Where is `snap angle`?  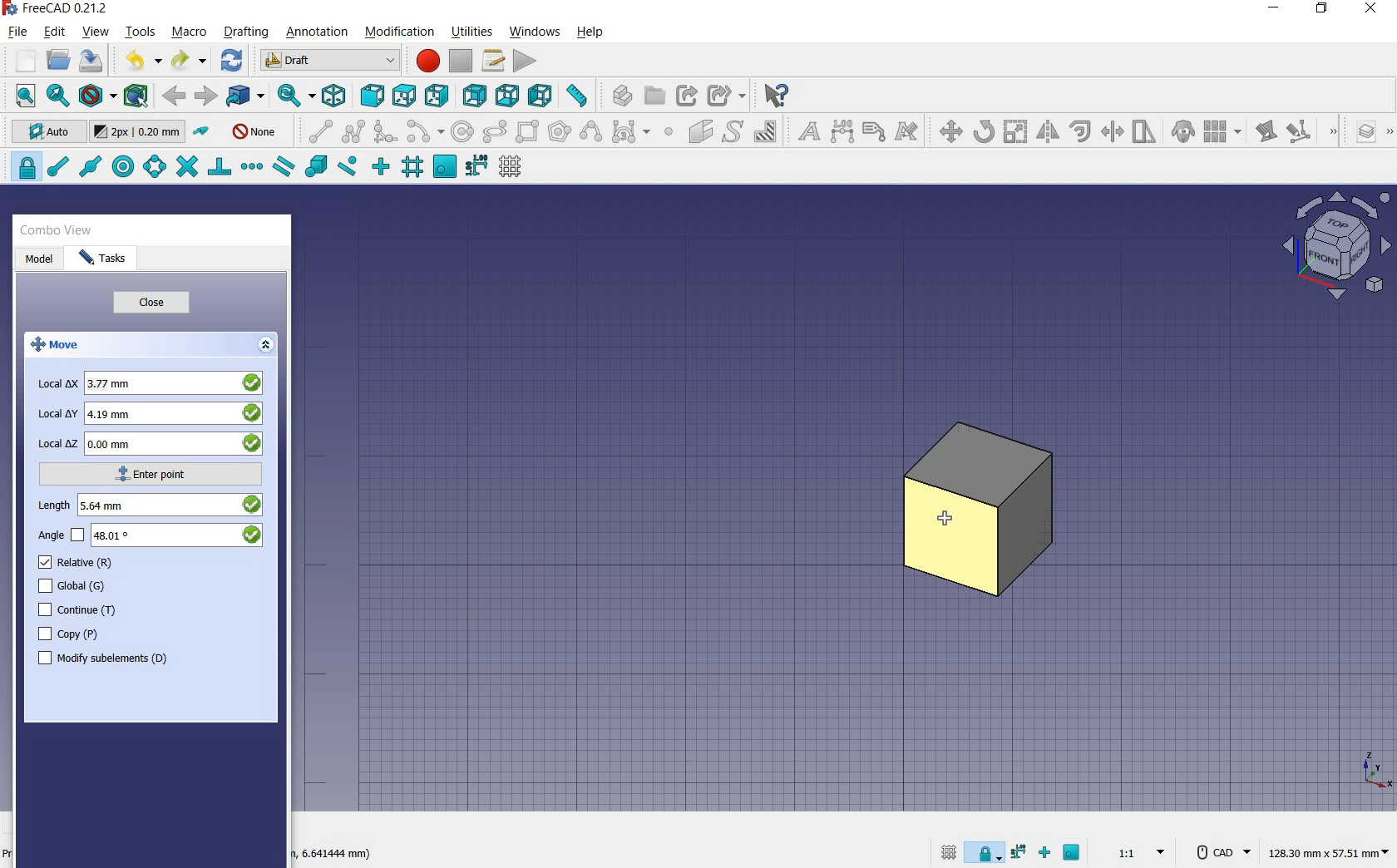
snap angle is located at coordinates (154, 167).